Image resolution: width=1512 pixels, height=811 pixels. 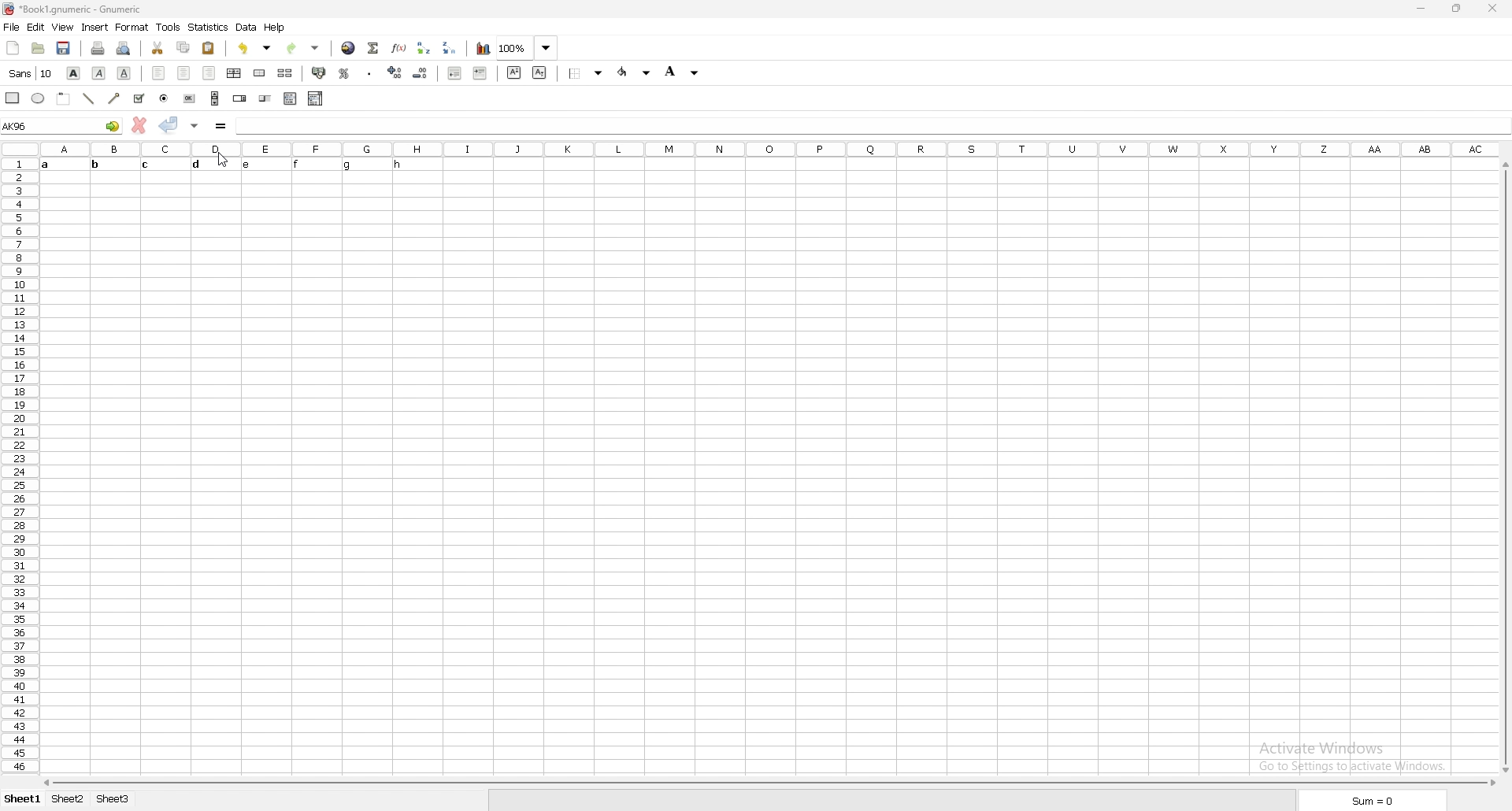 I want to click on split merged cell, so click(x=285, y=72).